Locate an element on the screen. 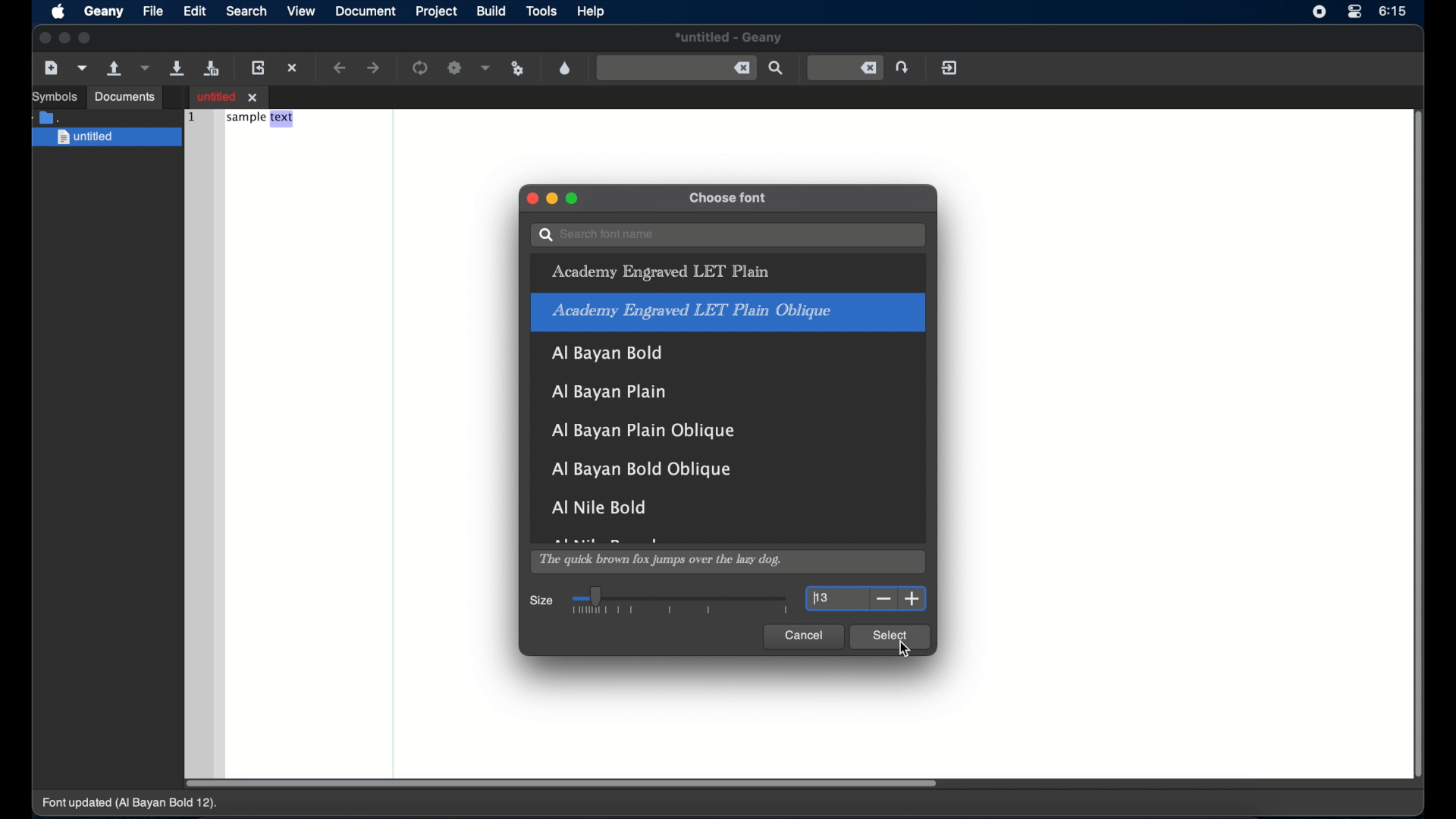  cancel is located at coordinates (803, 636).